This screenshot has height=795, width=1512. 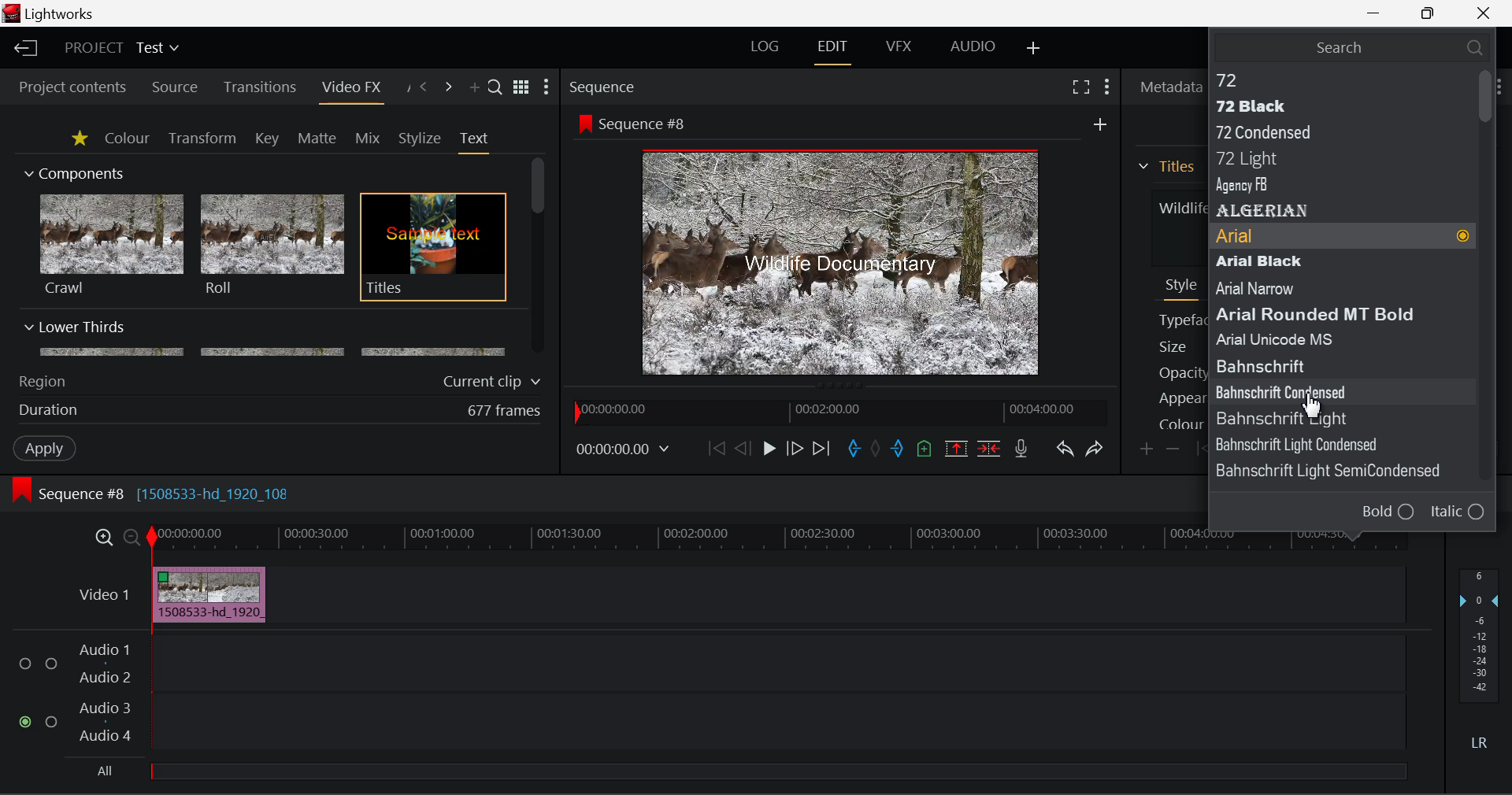 I want to click on Project Title, so click(x=123, y=46).